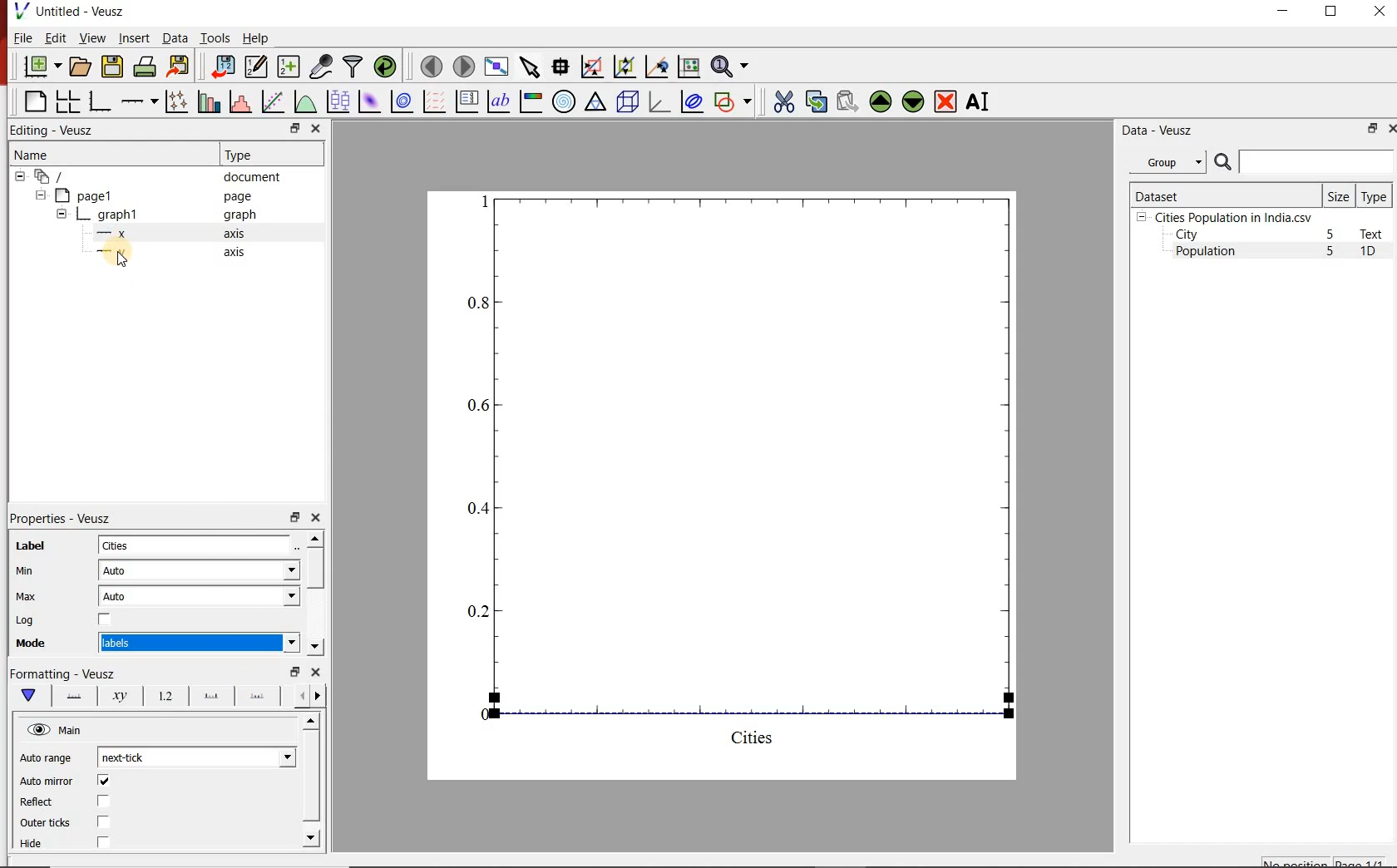  I want to click on scrollbar, so click(315, 594).